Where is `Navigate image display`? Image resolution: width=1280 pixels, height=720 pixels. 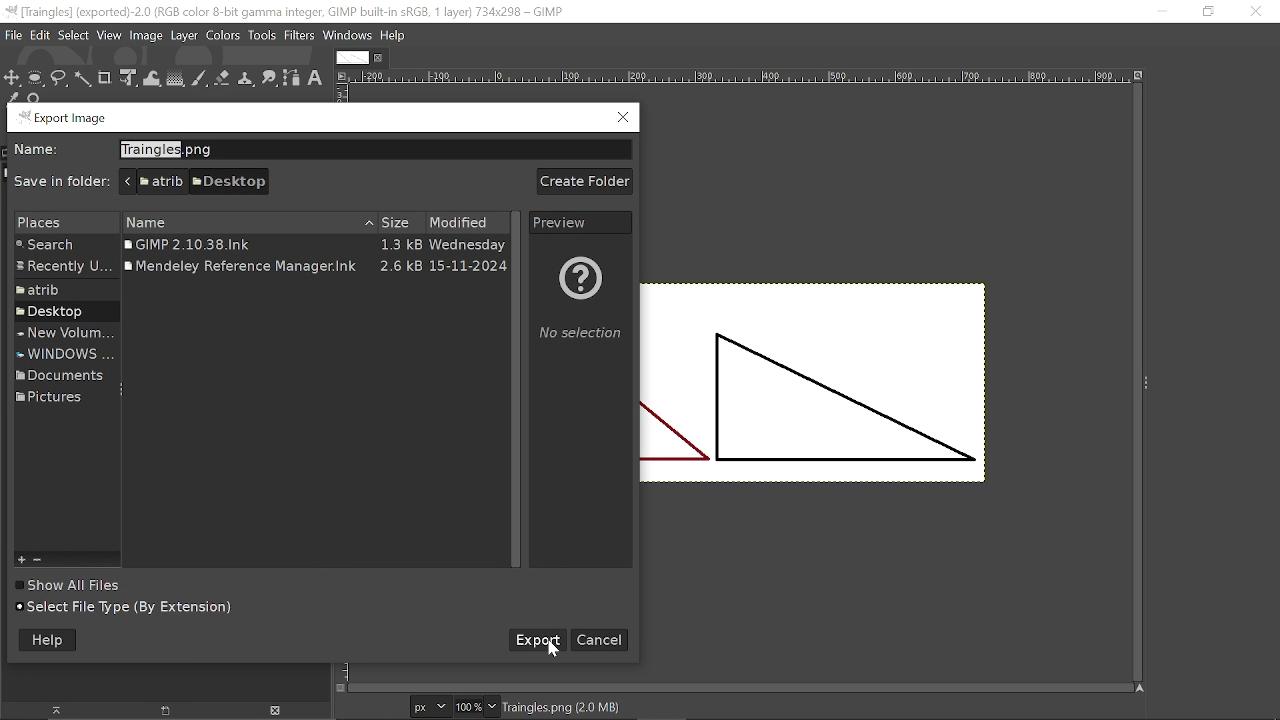 Navigate image display is located at coordinates (1139, 687).